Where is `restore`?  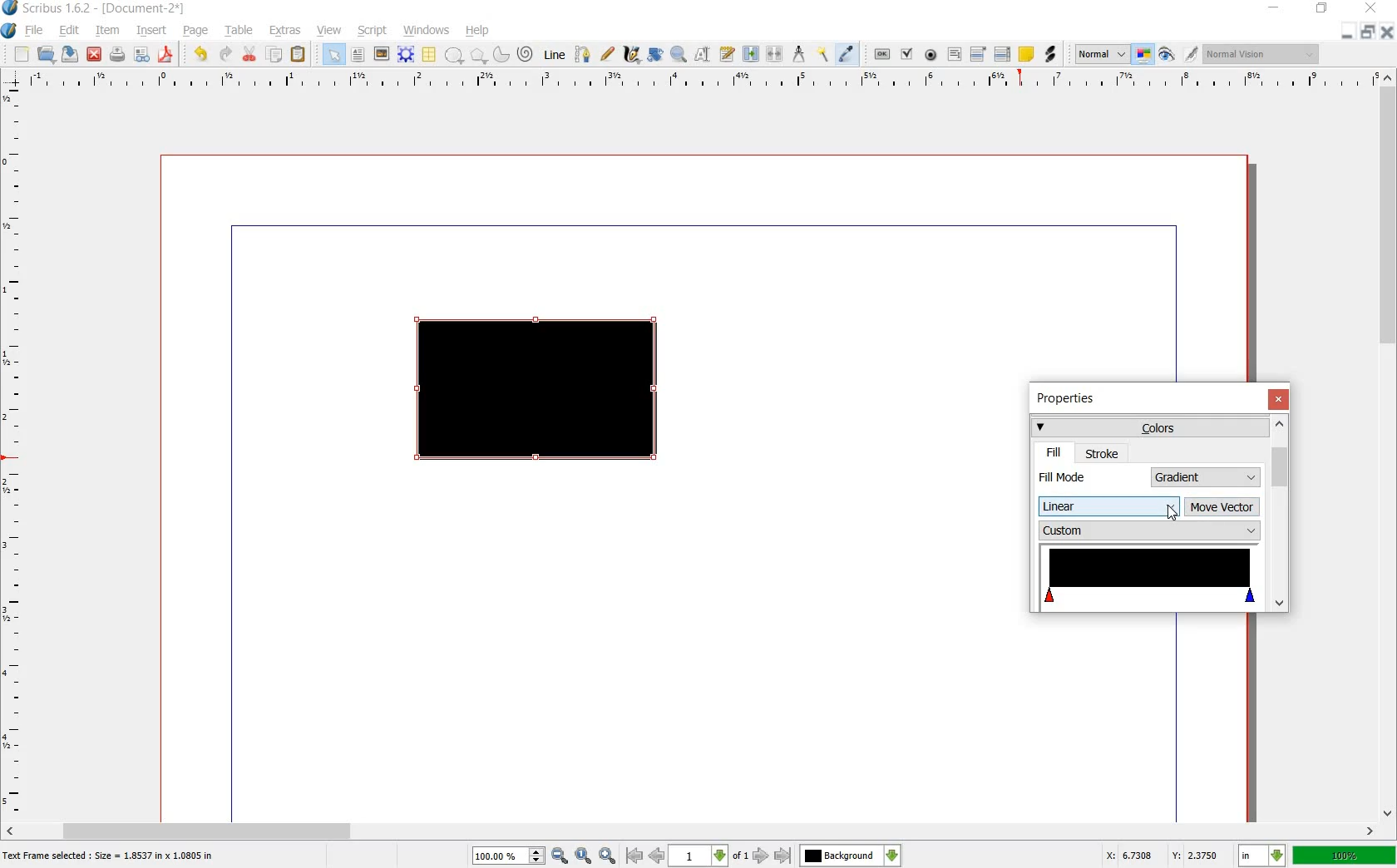
restore is located at coordinates (1322, 11).